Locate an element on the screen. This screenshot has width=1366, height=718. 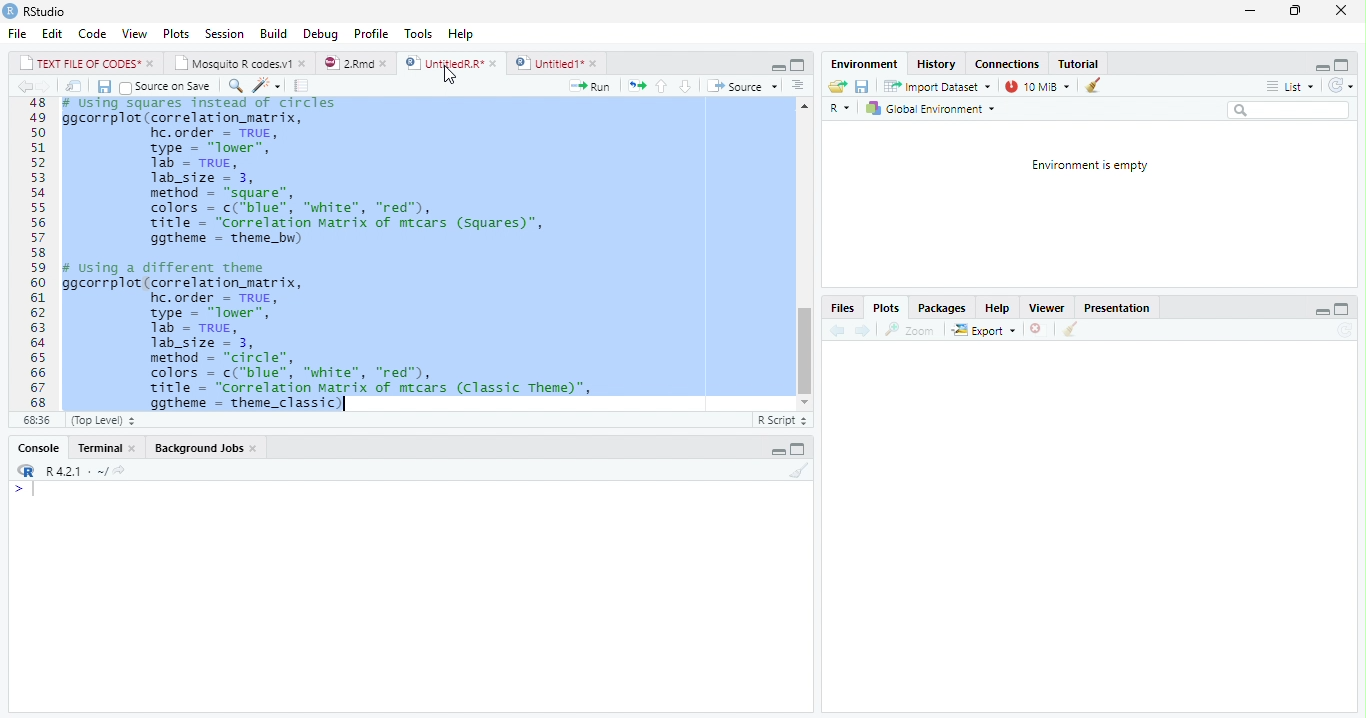
Build is located at coordinates (275, 33).